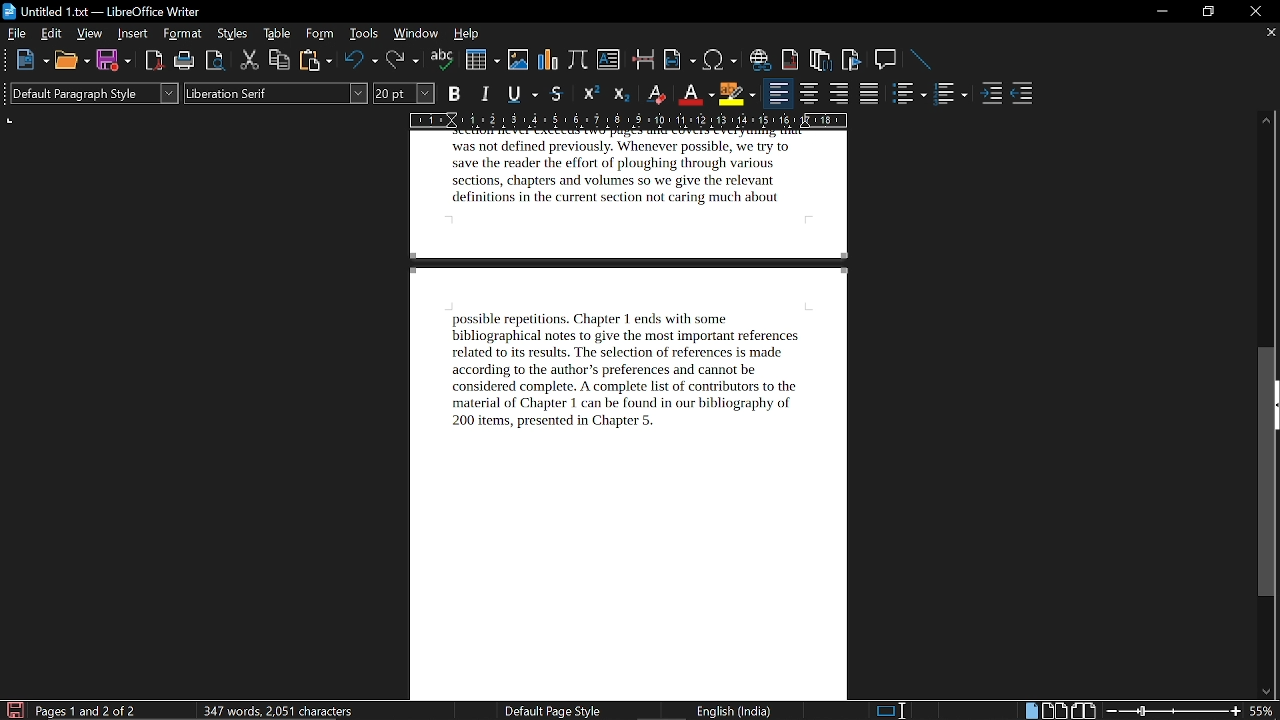 Image resolution: width=1280 pixels, height=720 pixels. Describe the element at coordinates (1252, 11) in the screenshot. I see `close` at that location.